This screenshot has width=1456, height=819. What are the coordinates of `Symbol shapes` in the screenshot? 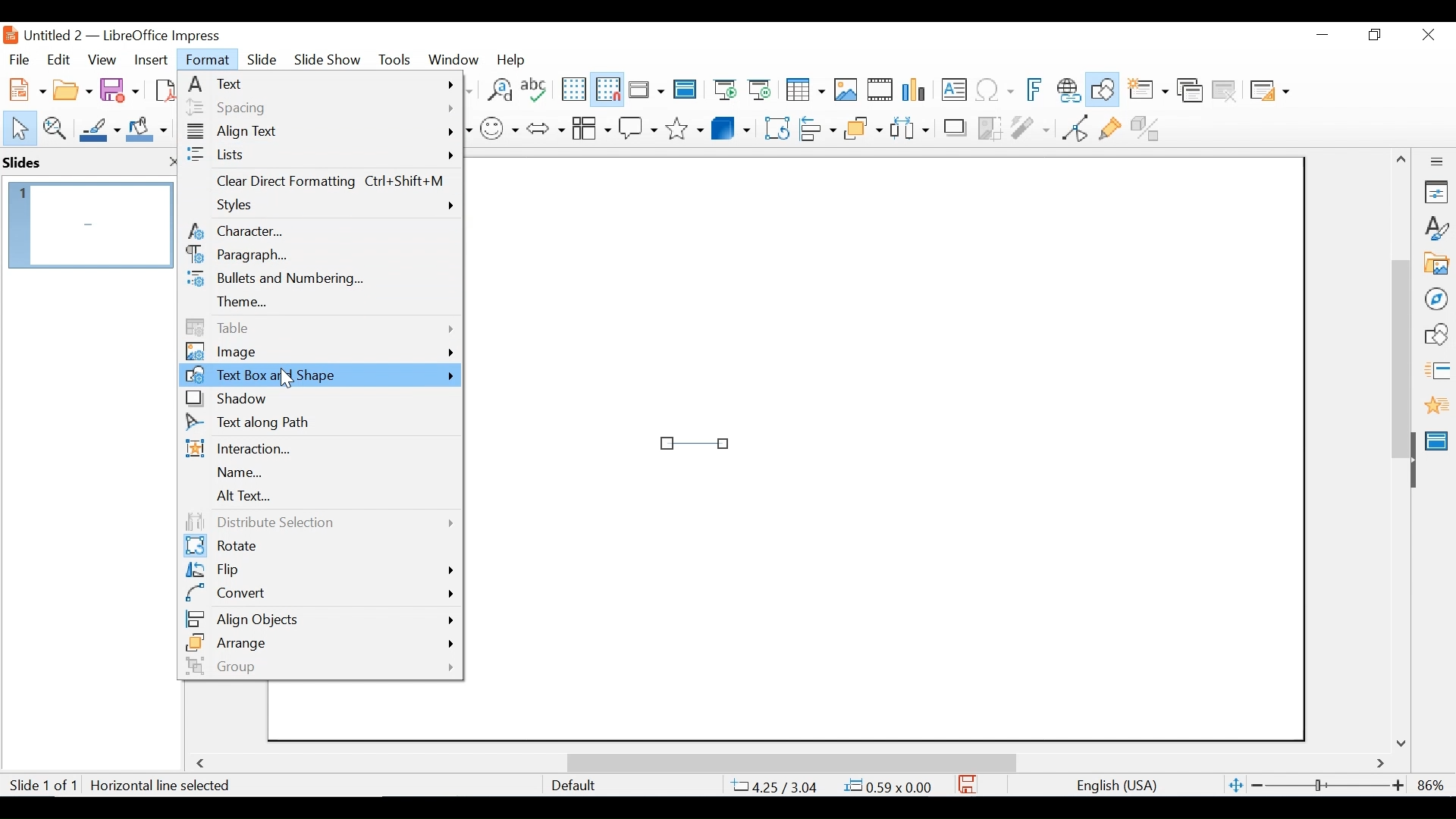 It's located at (500, 127).